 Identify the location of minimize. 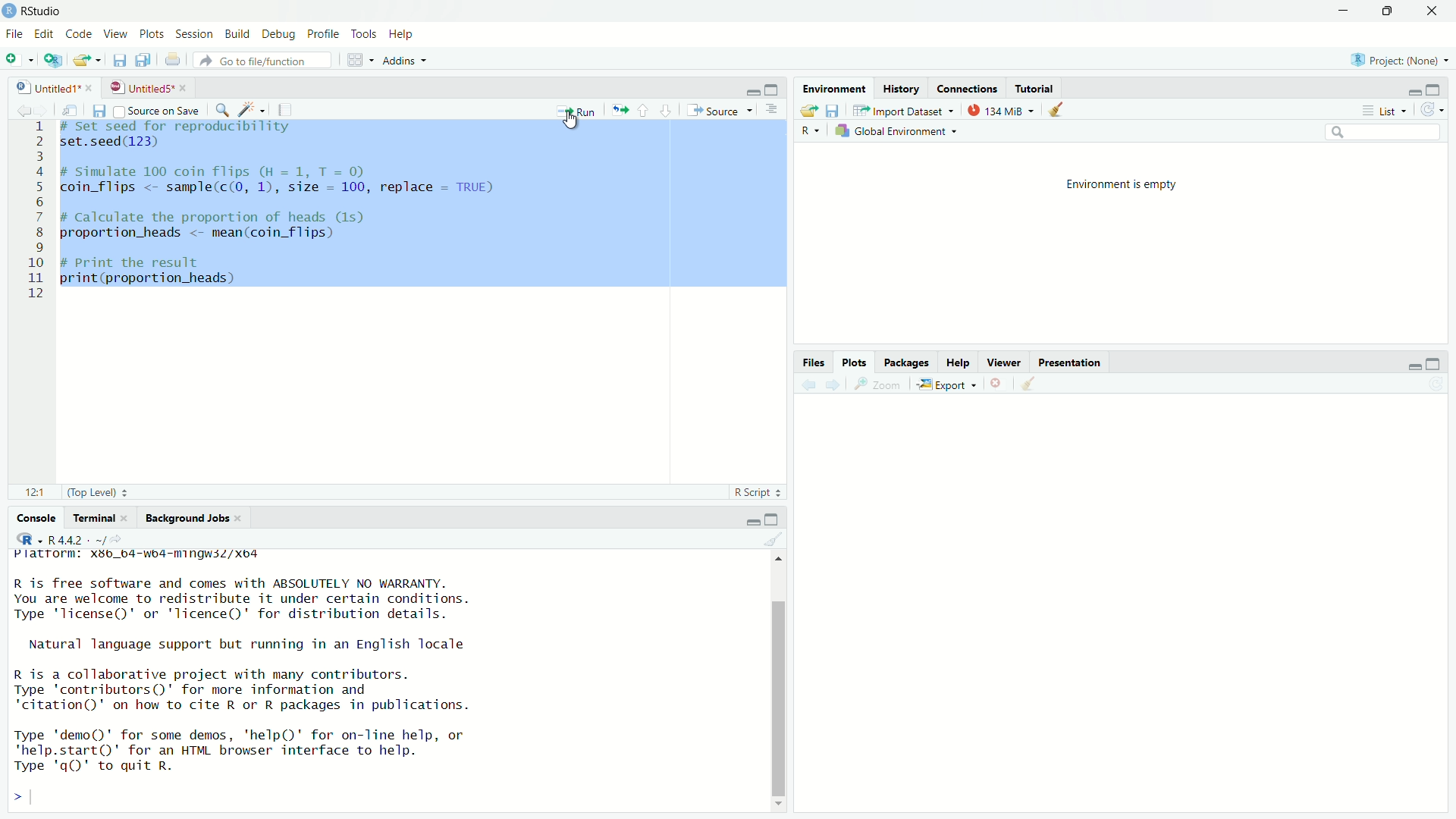
(1345, 11).